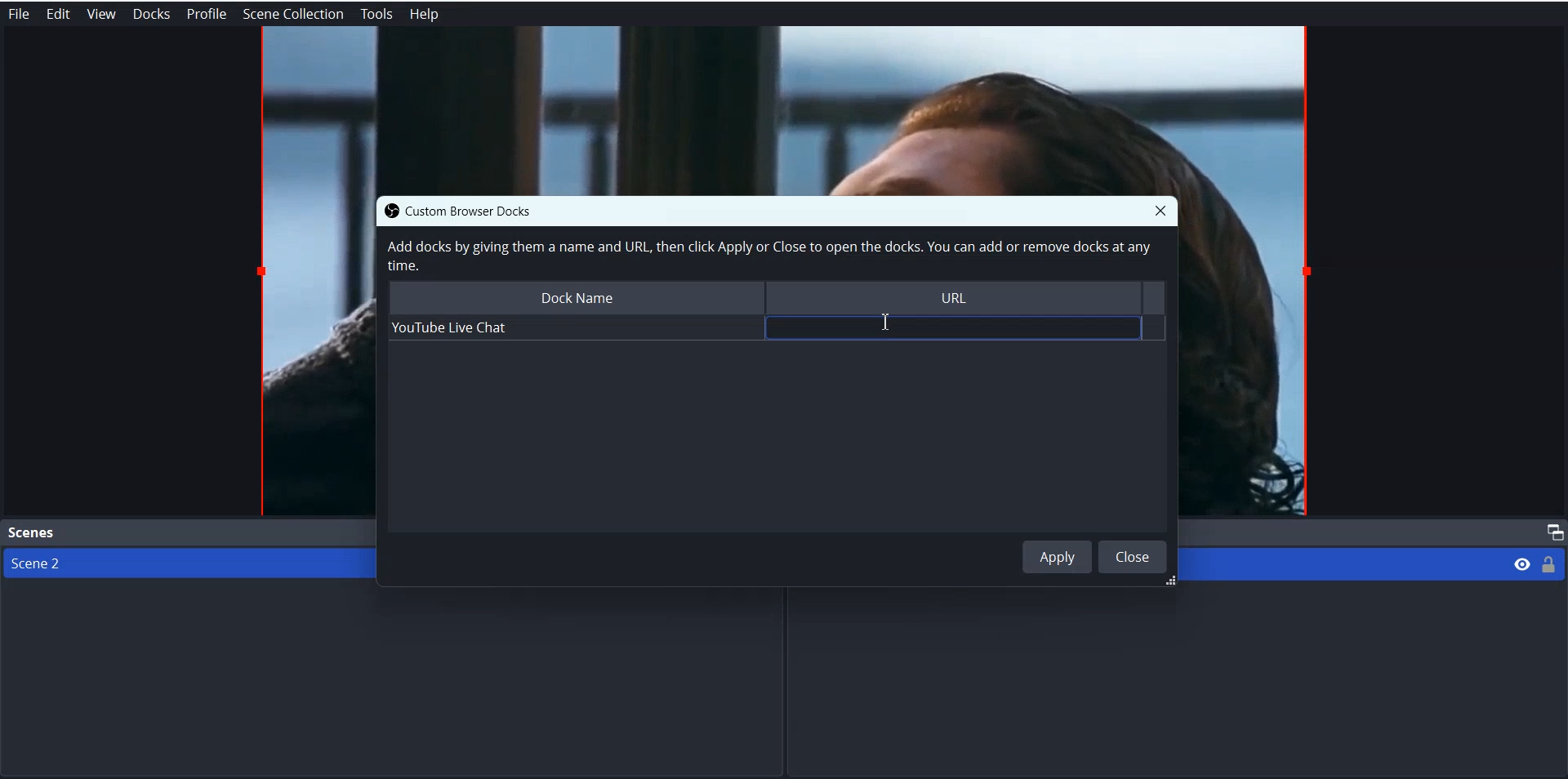  What do you see at coordinates (376, 15) in the screenshot?
I see `Tools` at bounding box center [376, 15].